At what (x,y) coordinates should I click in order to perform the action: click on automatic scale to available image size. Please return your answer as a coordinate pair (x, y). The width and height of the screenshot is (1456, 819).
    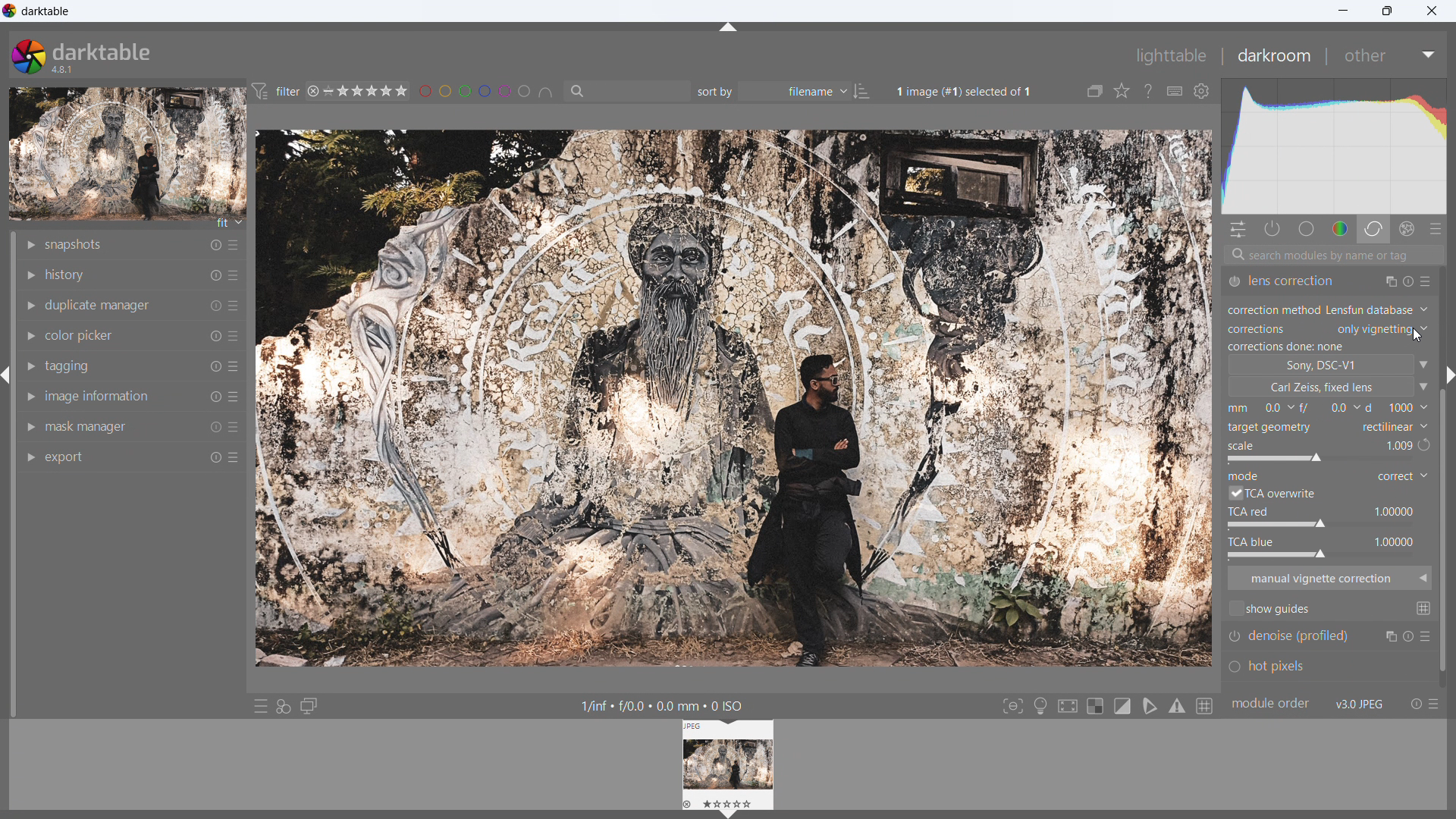
    Looking at the image, I should click on (1424, 446).